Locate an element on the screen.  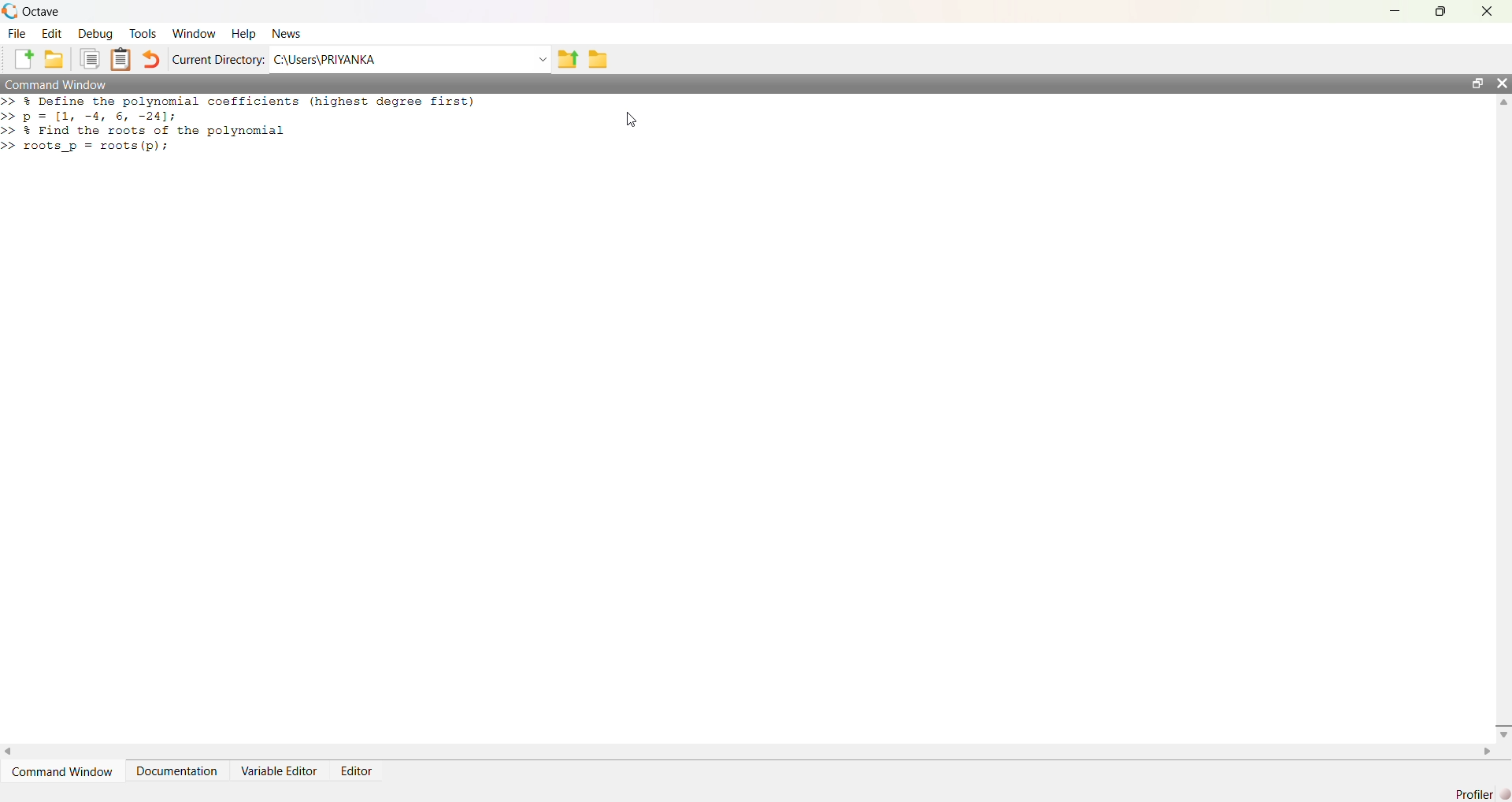
revert is located at coordinates (151, 61).